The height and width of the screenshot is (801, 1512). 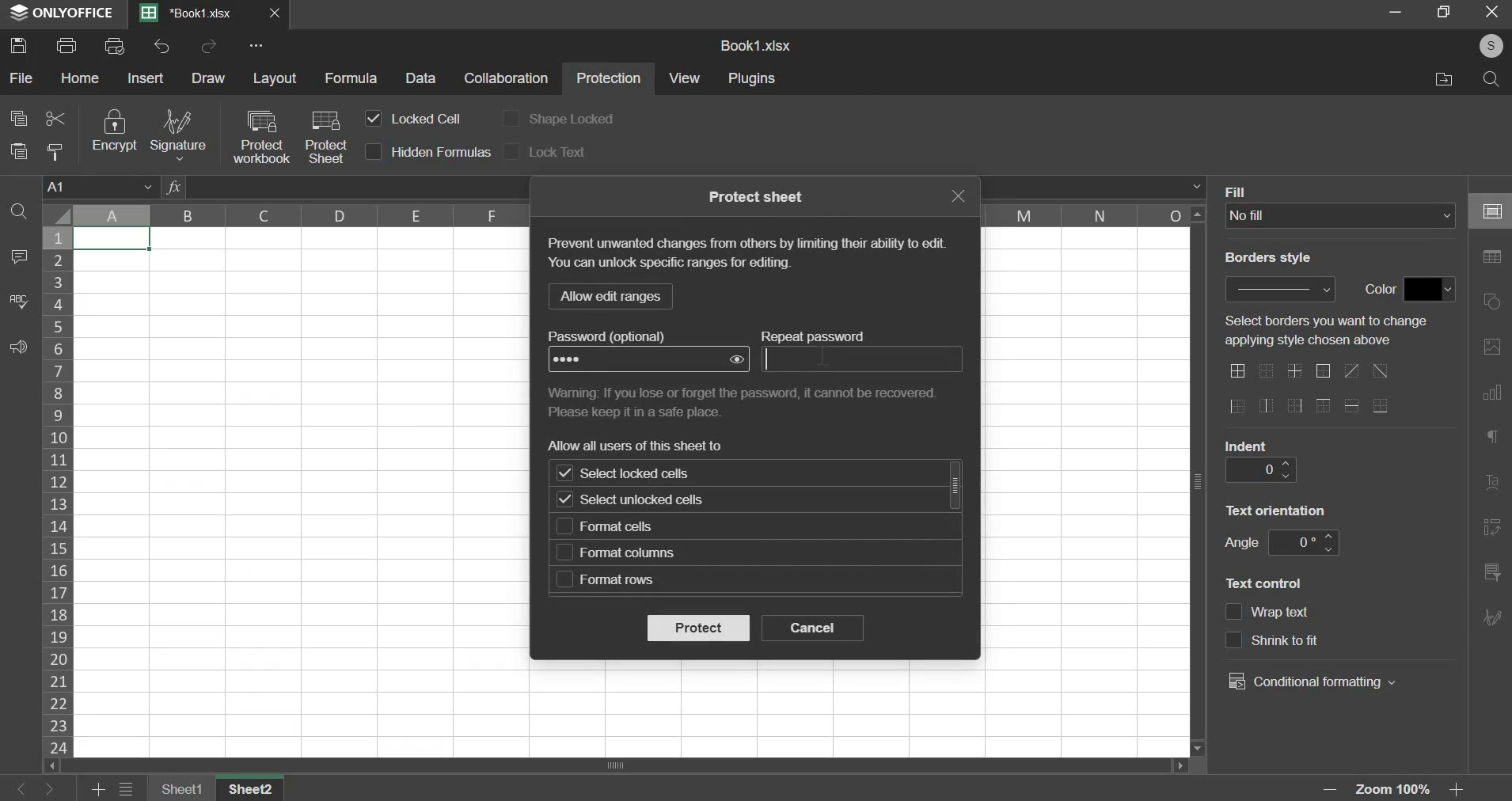 What do you see at coordinates (259, 45) in the screenshot?
I see `more` at bounding box center [259, 45].